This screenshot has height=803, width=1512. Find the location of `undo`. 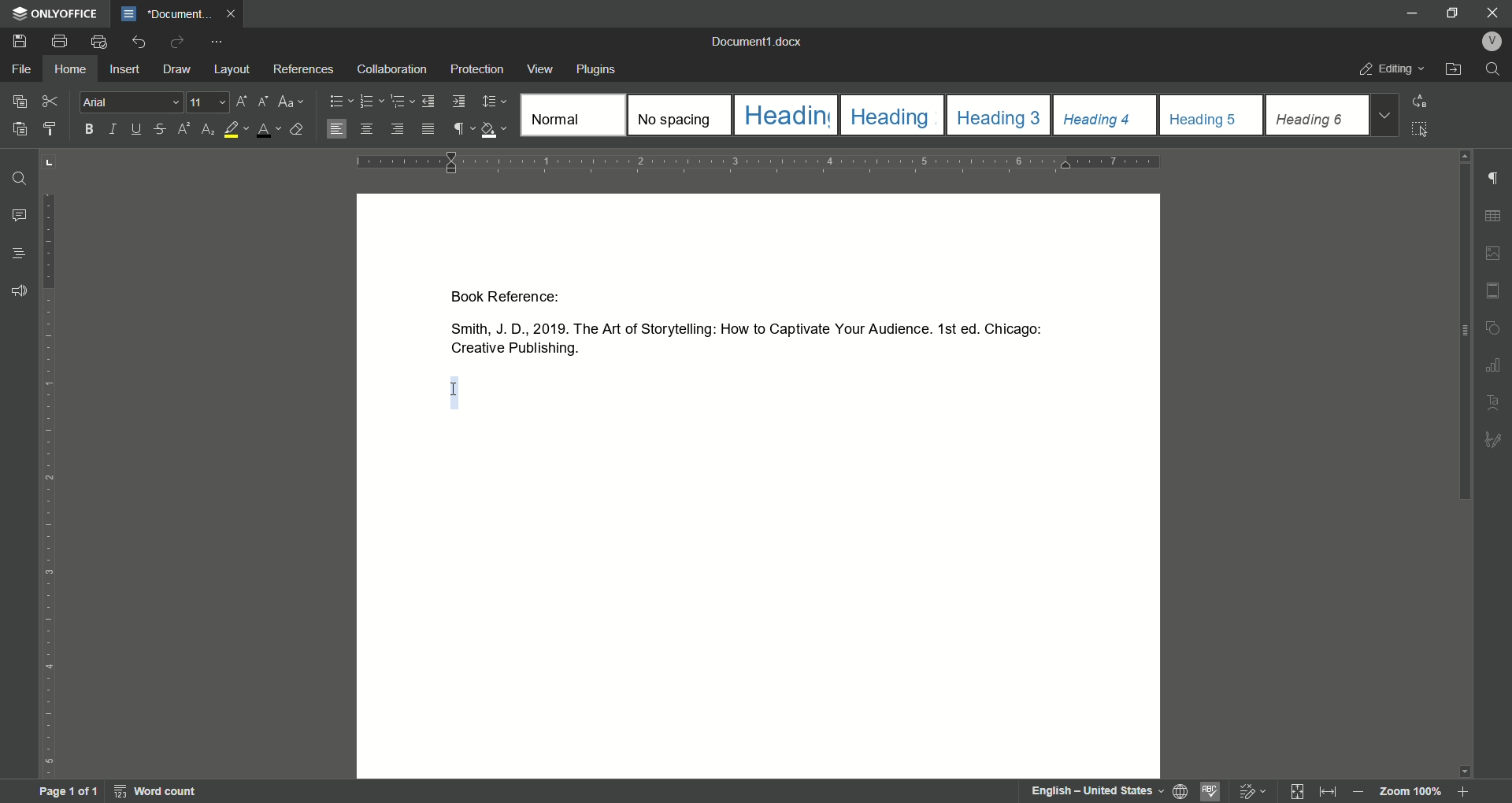

undo is located at coordinates (138, 43).